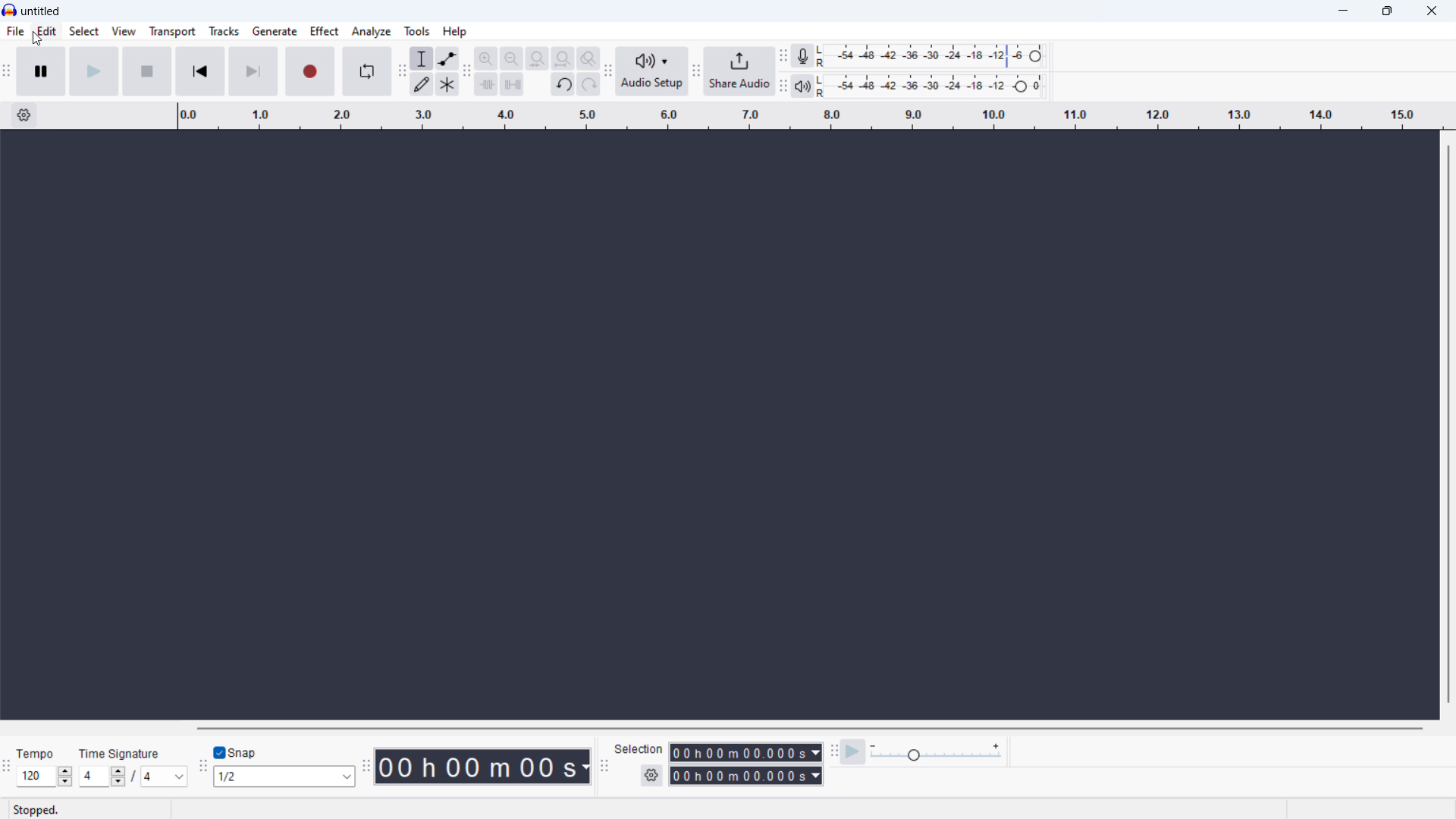 The width and height of the screenshot is (1456, 819). Describe the element at coordinates (783, 86) in the screenshot. I see `playback meter toolbar` at that location.